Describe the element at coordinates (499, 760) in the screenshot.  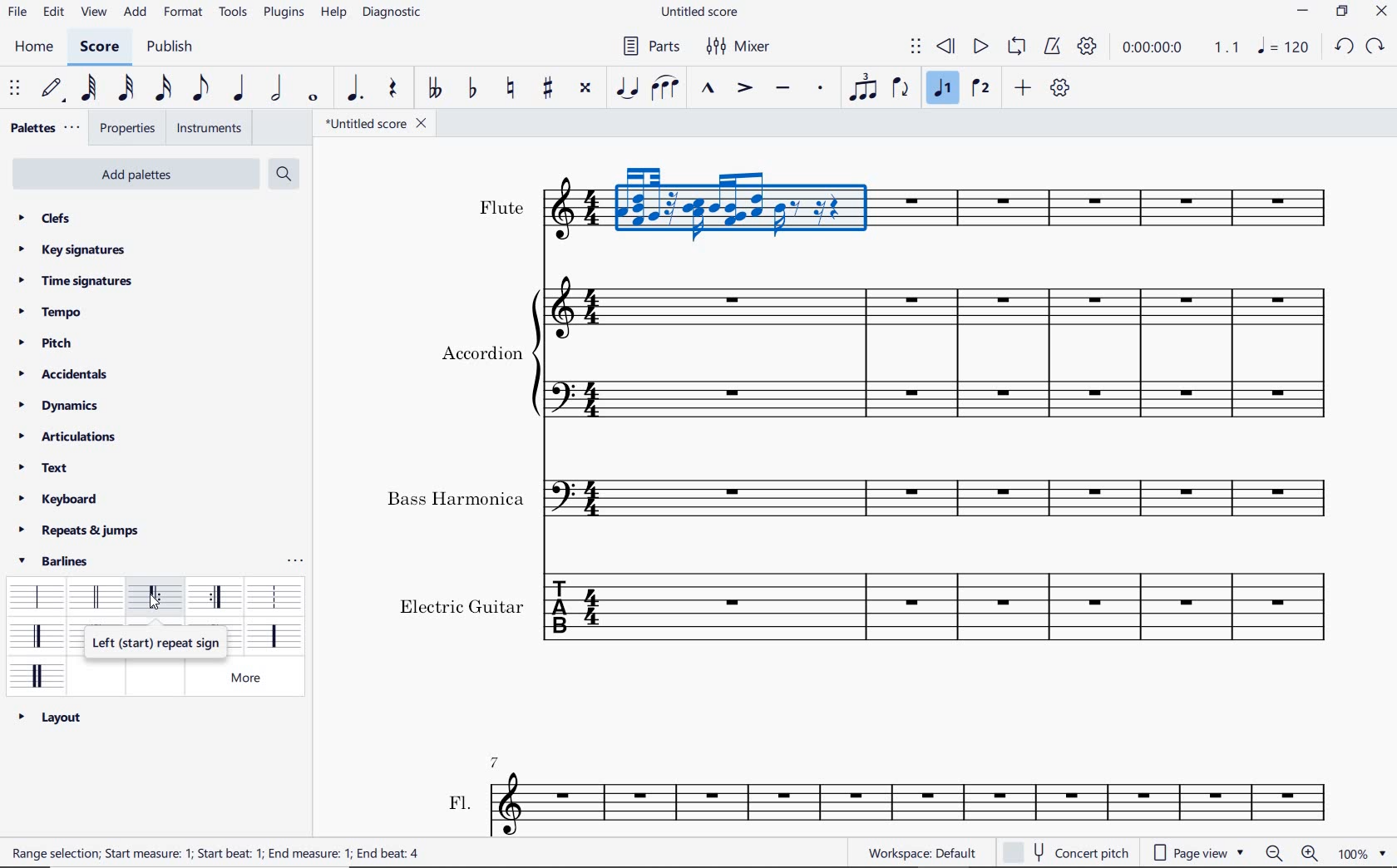
I see `7` at that location.